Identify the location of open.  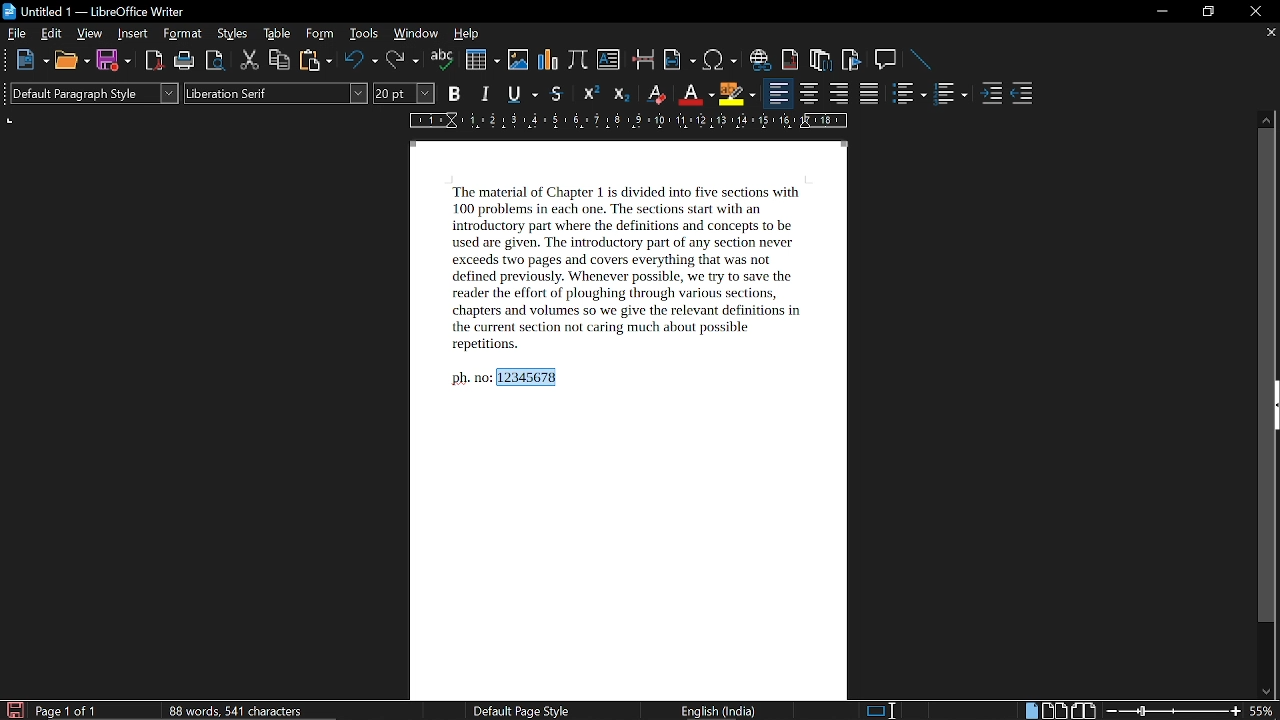
(72, 60).